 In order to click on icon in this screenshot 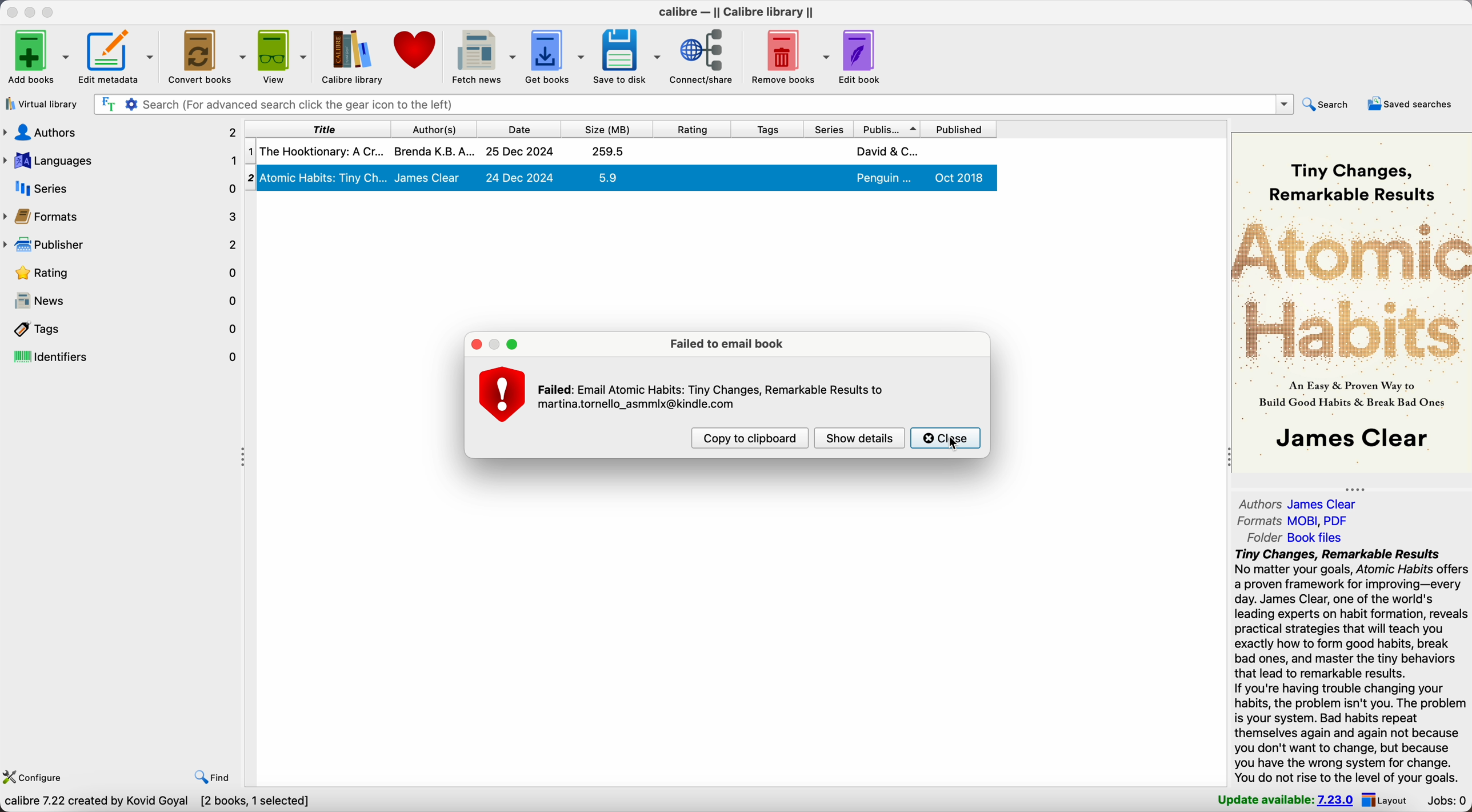, I will do `click(502, 393)`.